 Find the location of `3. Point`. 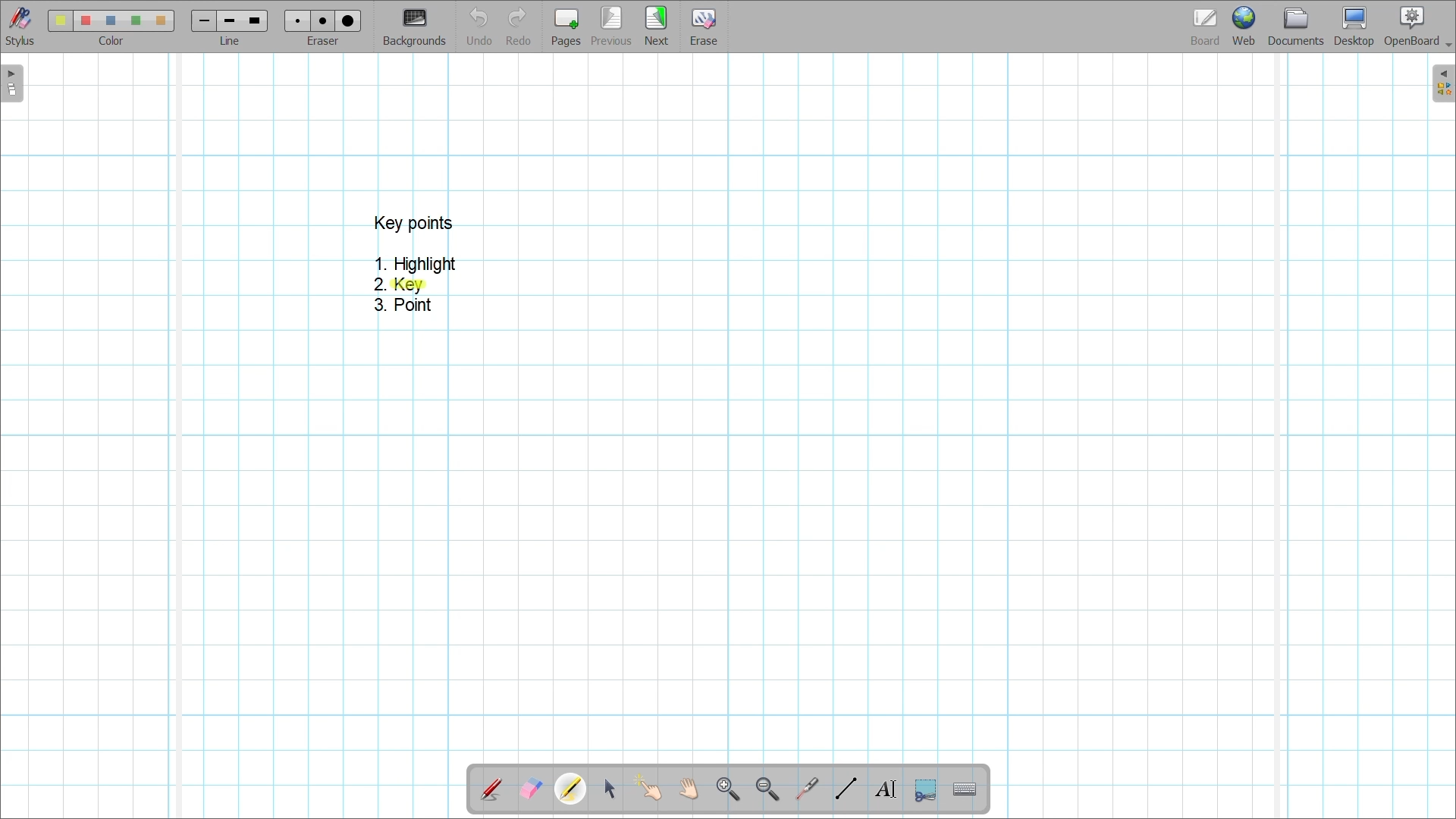

3. Point is located at coordinates (401, 305).